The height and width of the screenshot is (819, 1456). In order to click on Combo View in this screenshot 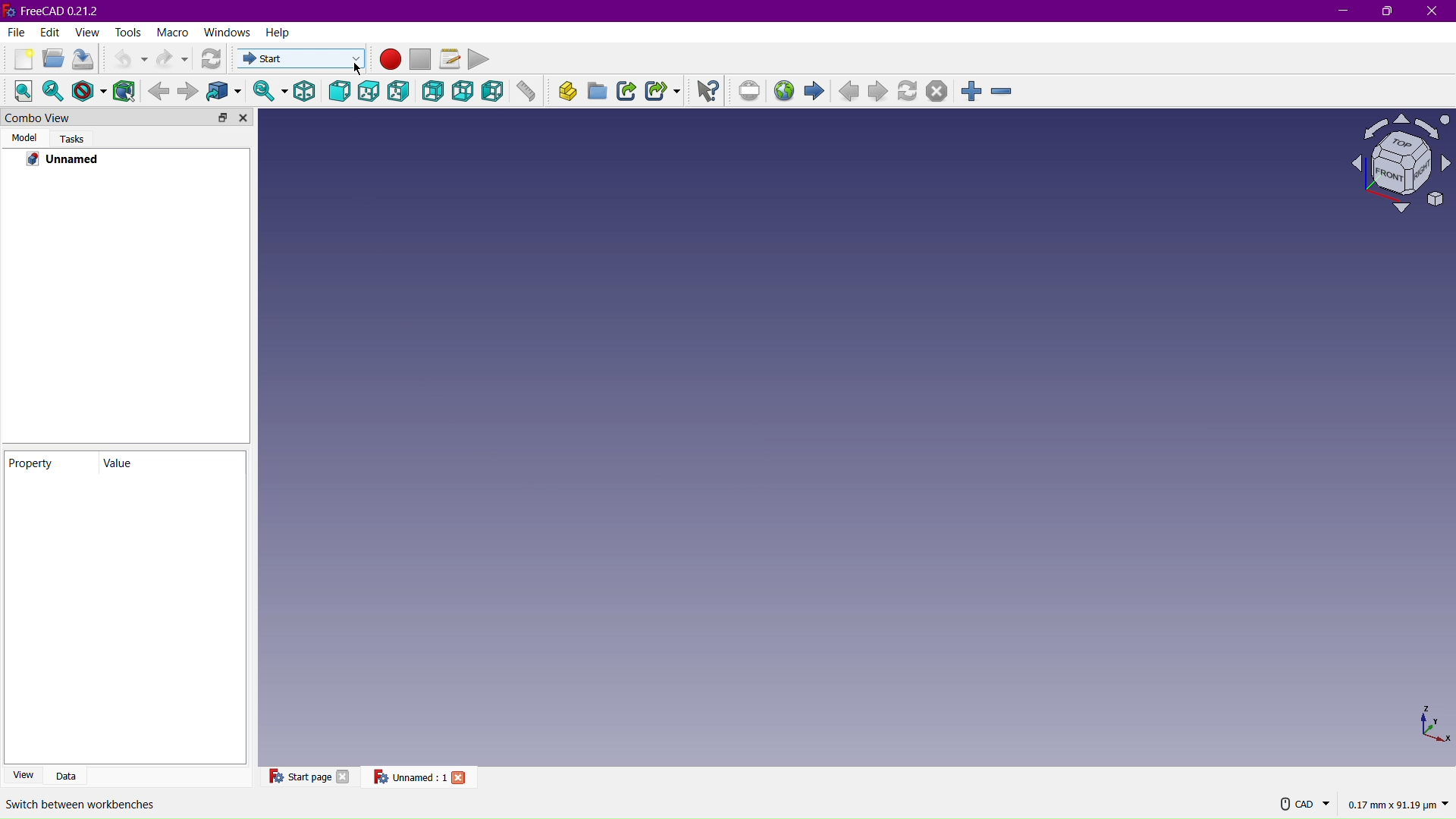, I will do `click(93, 118)`.